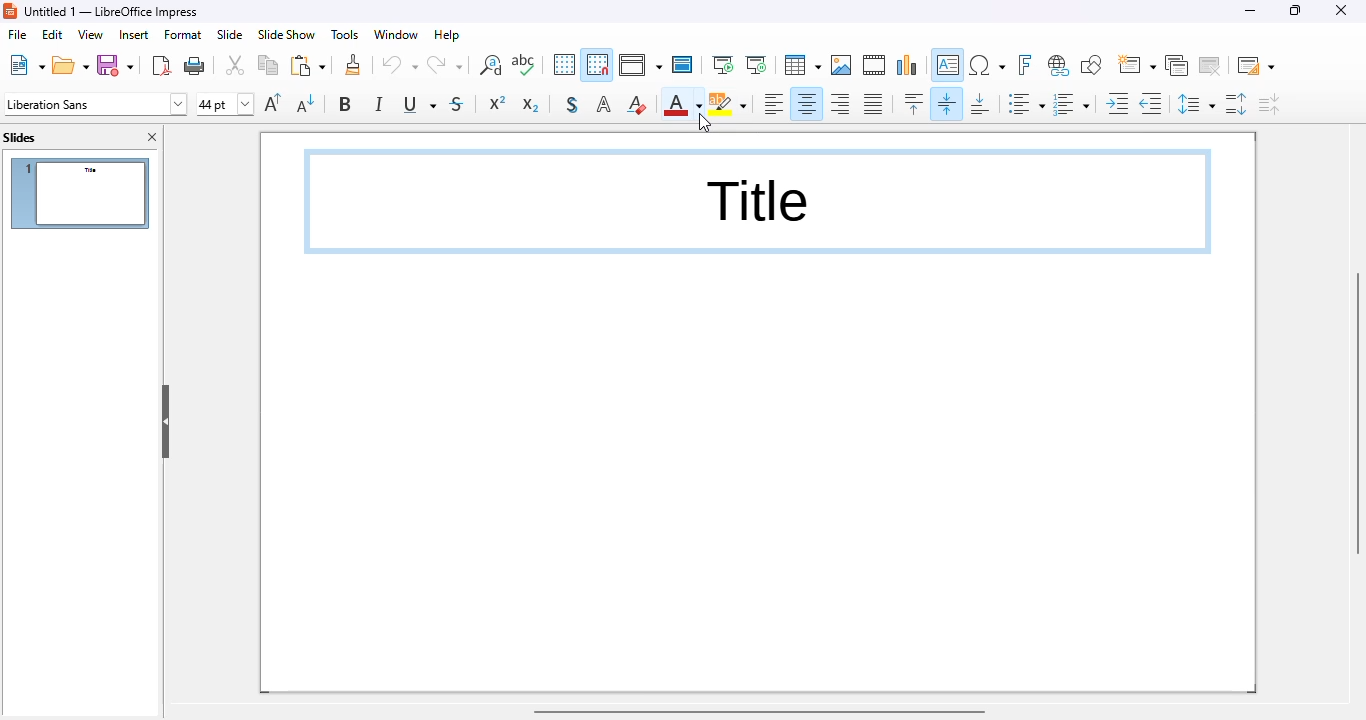 The width and height of the screenshot is (1366, 720). I want to click on slides, so click(19, 137).